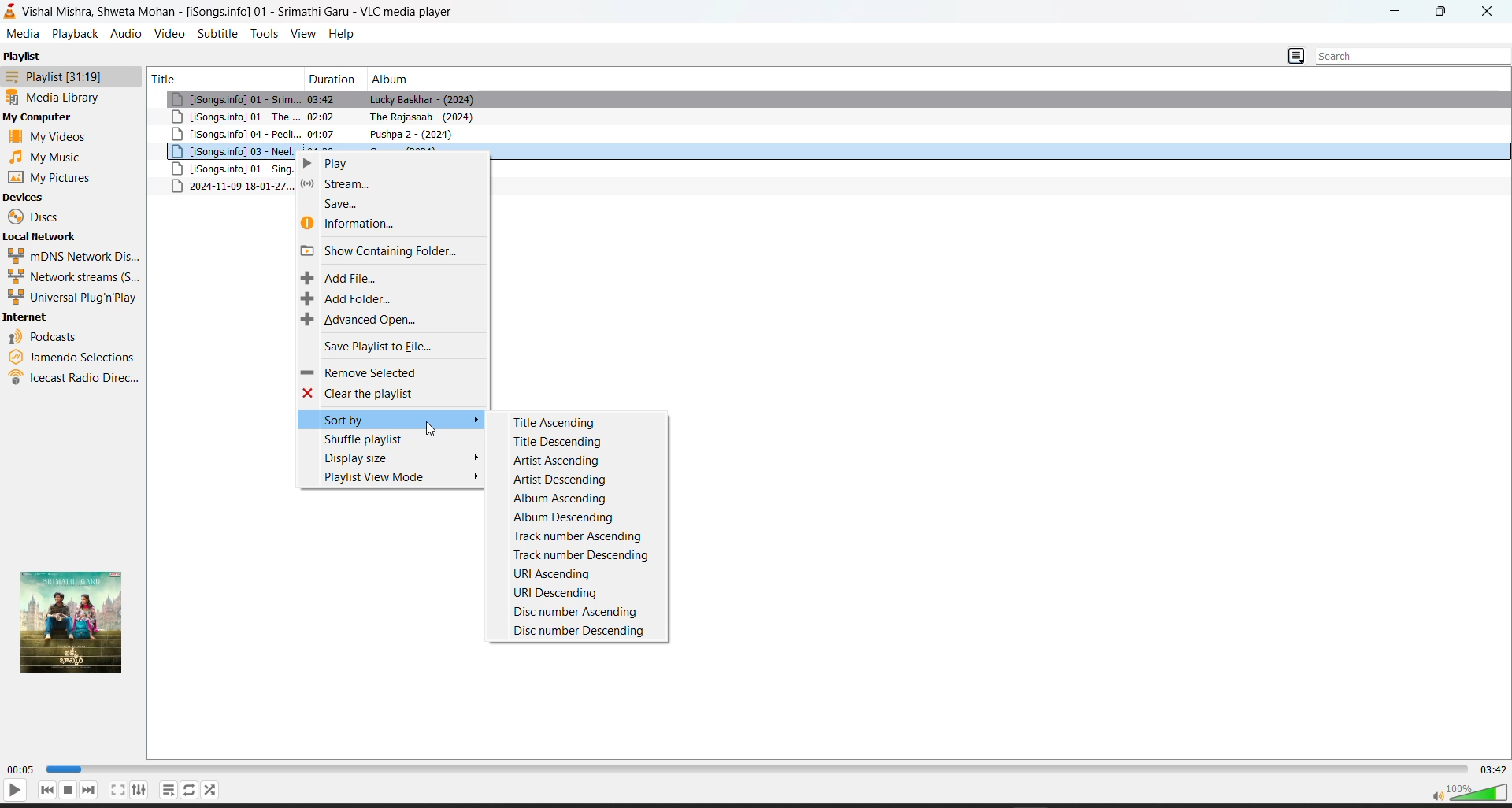  I want to click on help, so click(341, 32).